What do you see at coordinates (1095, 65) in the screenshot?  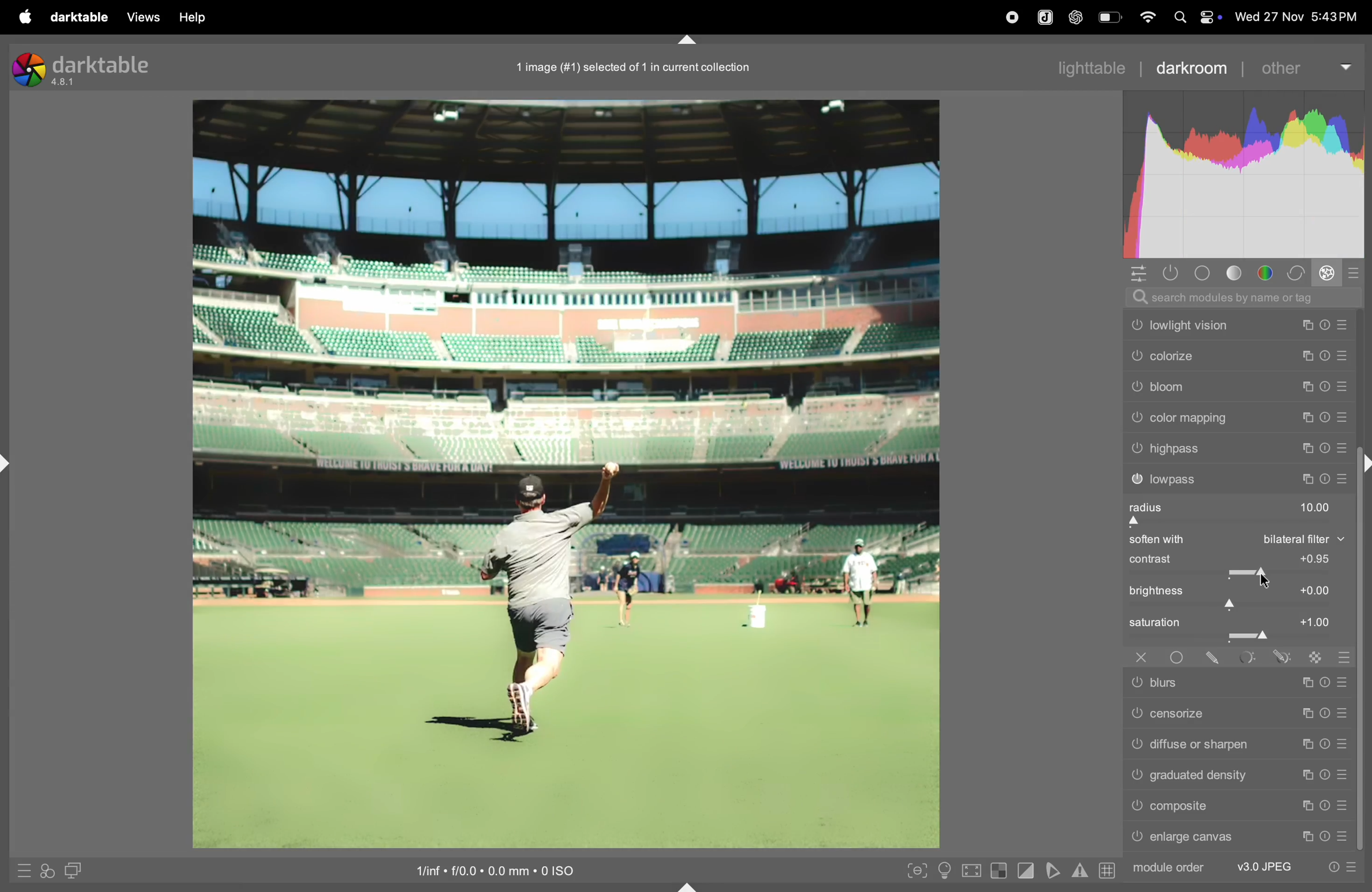 I see `lighttable` at bounding box center [1095, 65].